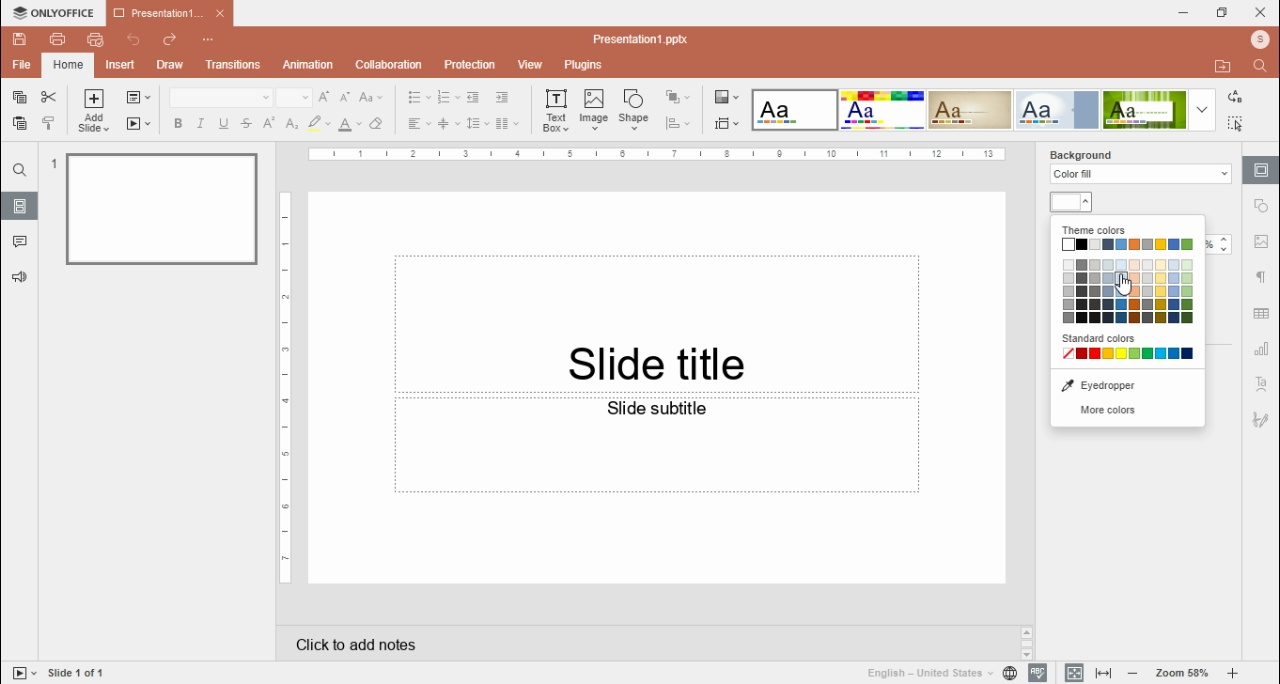 This screenshot has width=1280, height=684. What do you see at coordinates (1074, 674) in the screenshot?
I see `fit window` at bounding box center [1074, 674].